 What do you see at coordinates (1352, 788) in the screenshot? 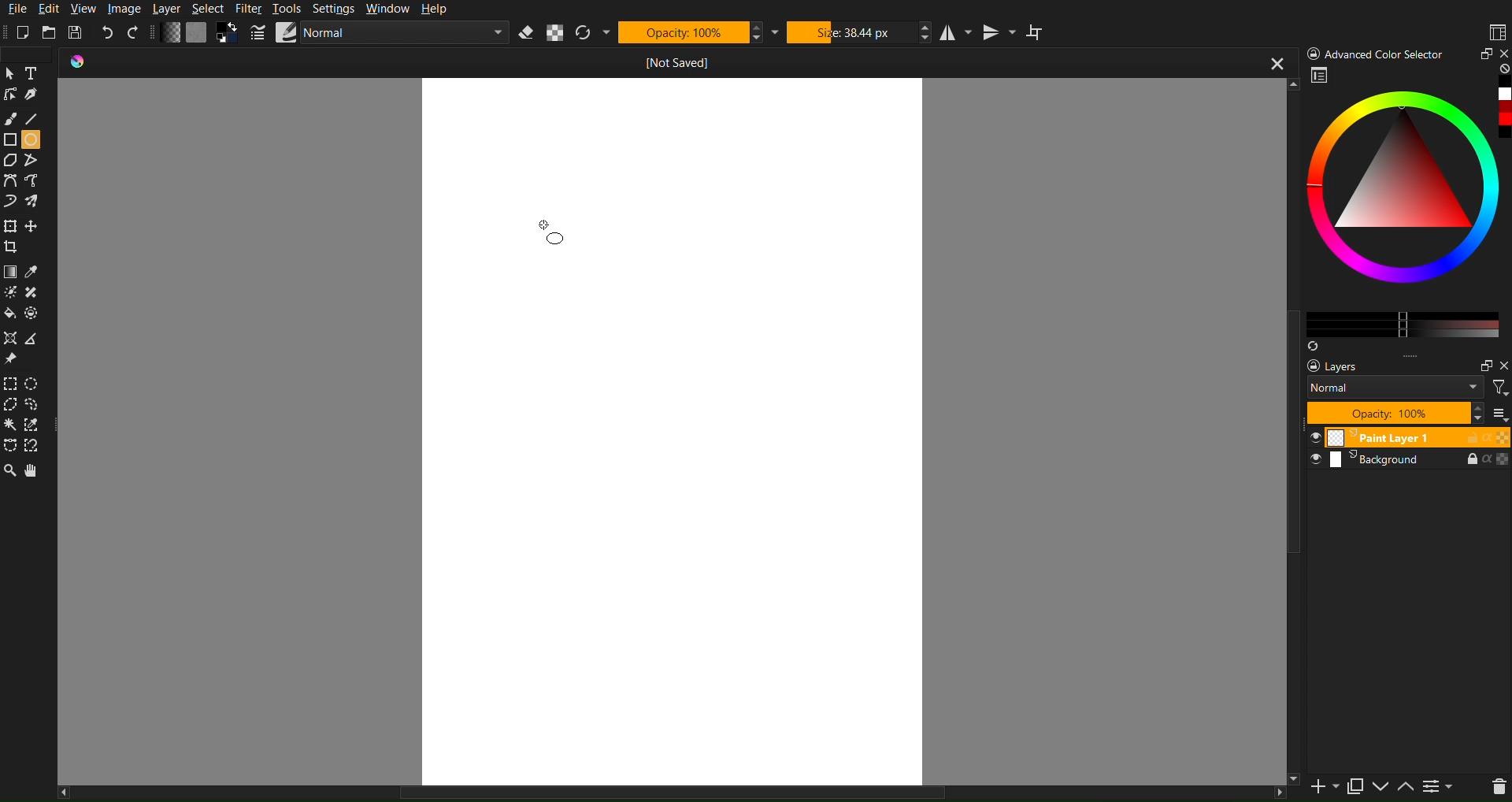
I see `copy` at bounding box center [1352, 788].